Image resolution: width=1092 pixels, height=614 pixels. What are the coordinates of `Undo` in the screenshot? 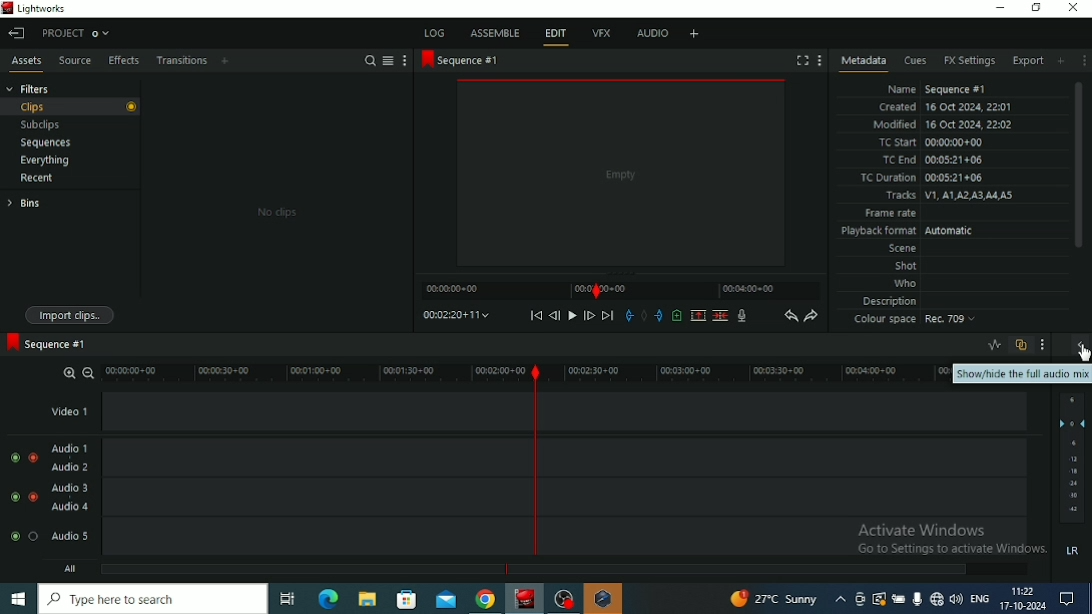 It's located at (791, 317).